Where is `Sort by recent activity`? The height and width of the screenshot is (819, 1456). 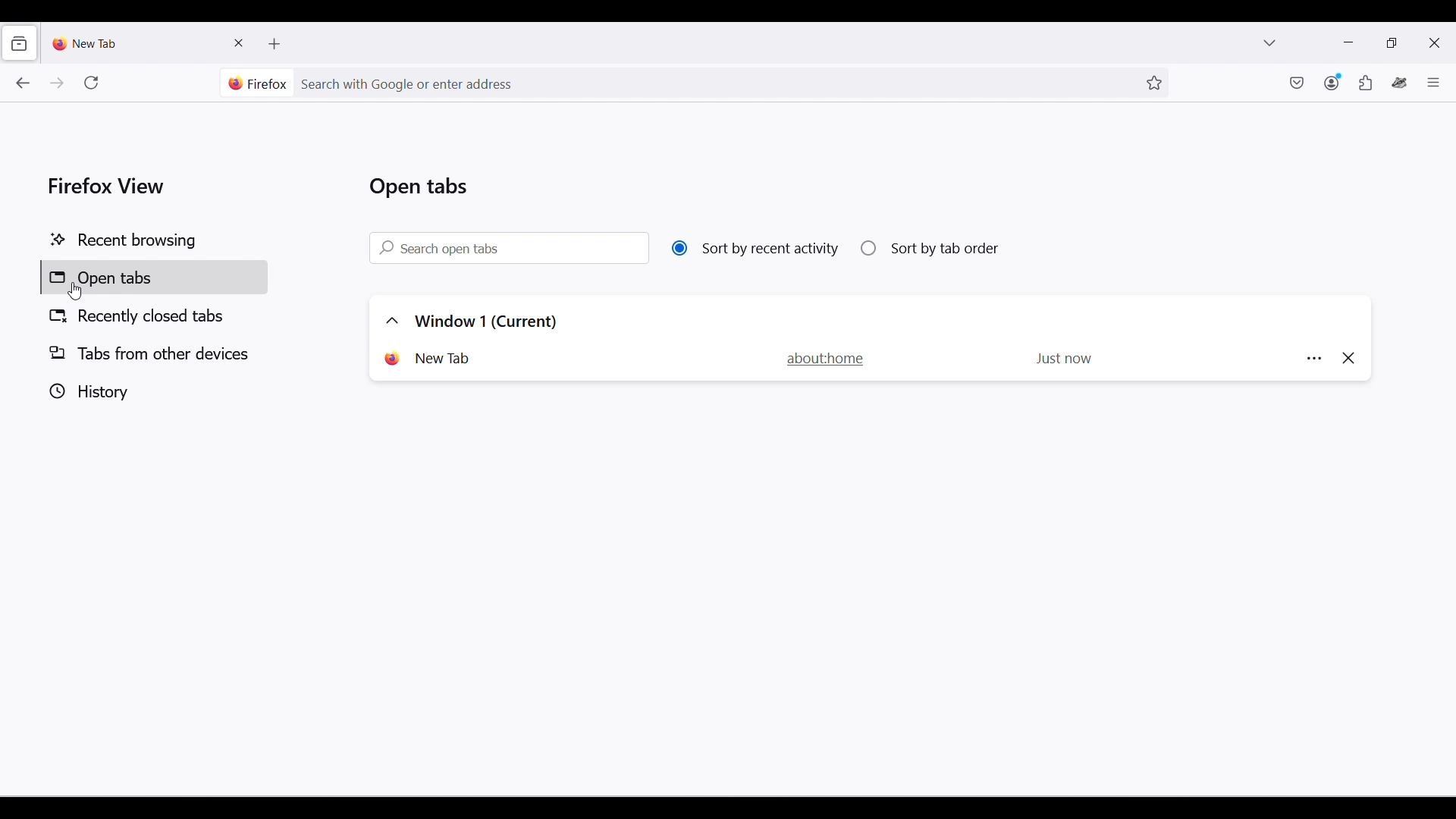
Sort by recent activity is located at coordinates (755, 249).